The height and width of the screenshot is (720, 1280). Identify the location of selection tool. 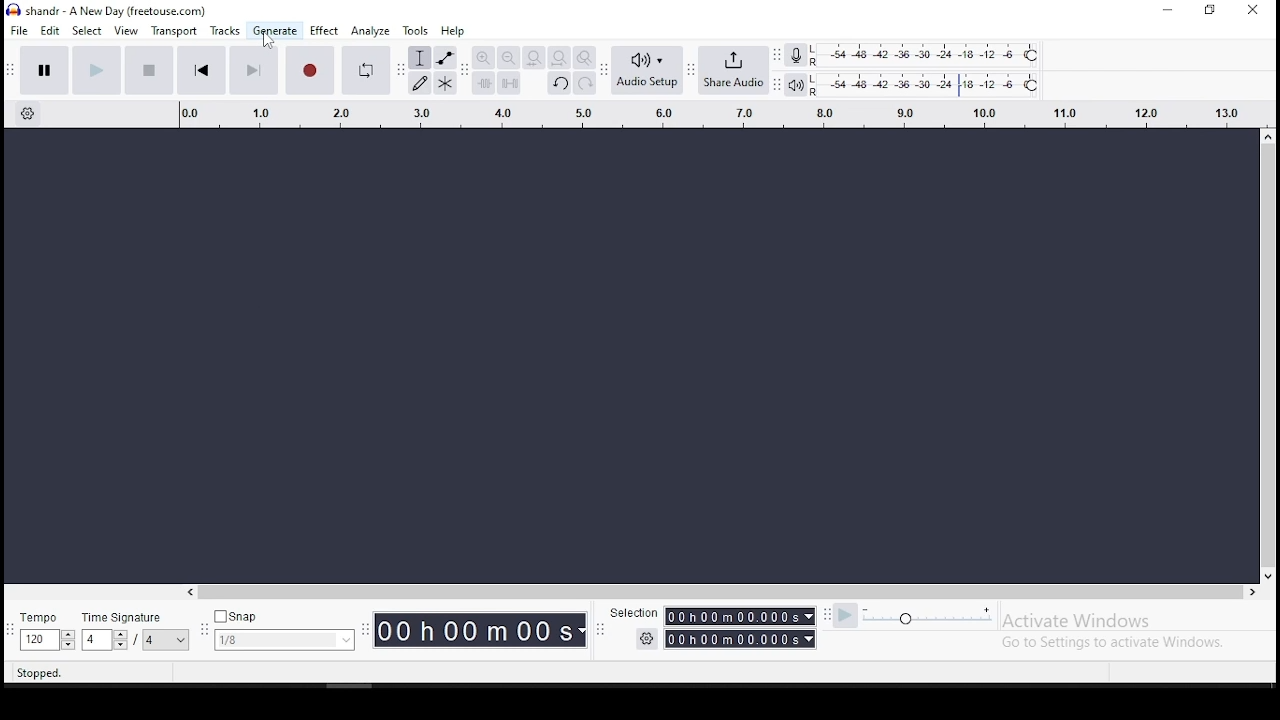
(419, 57).